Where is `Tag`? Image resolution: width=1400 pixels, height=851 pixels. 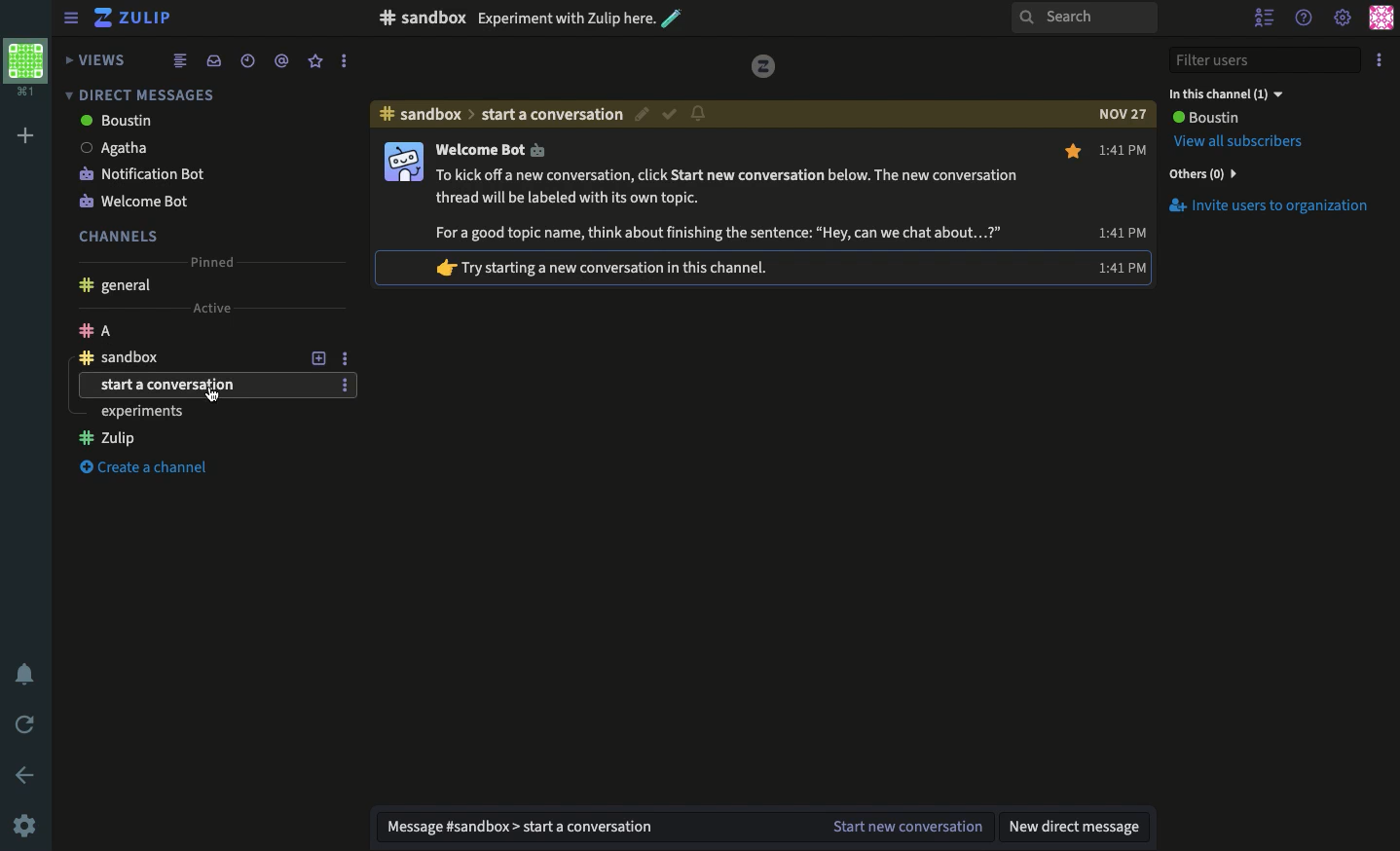
Tag is located at coordinates (281, 59).